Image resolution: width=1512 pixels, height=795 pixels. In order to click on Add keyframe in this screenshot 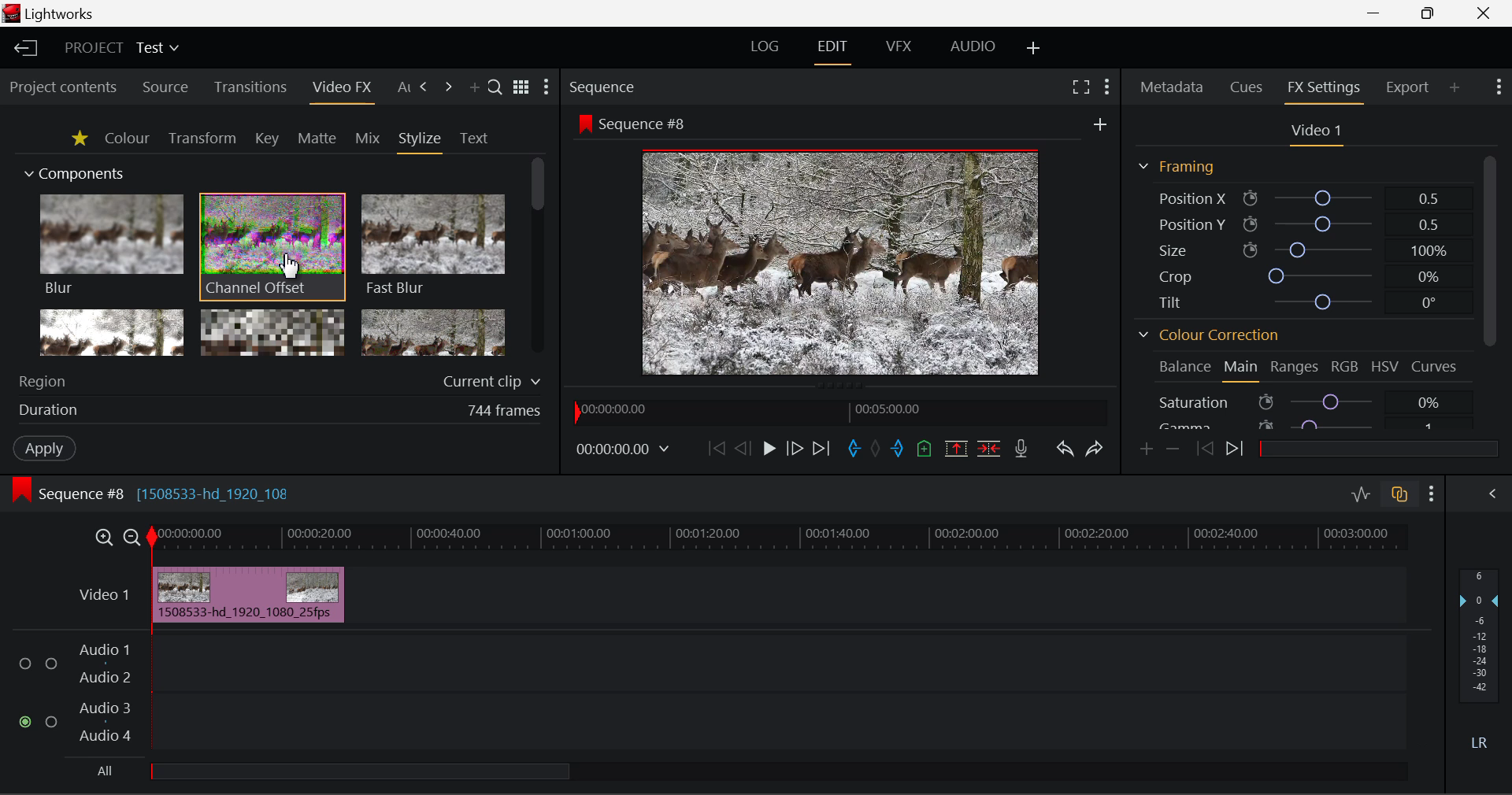, I will do `click(1145, 453)`.